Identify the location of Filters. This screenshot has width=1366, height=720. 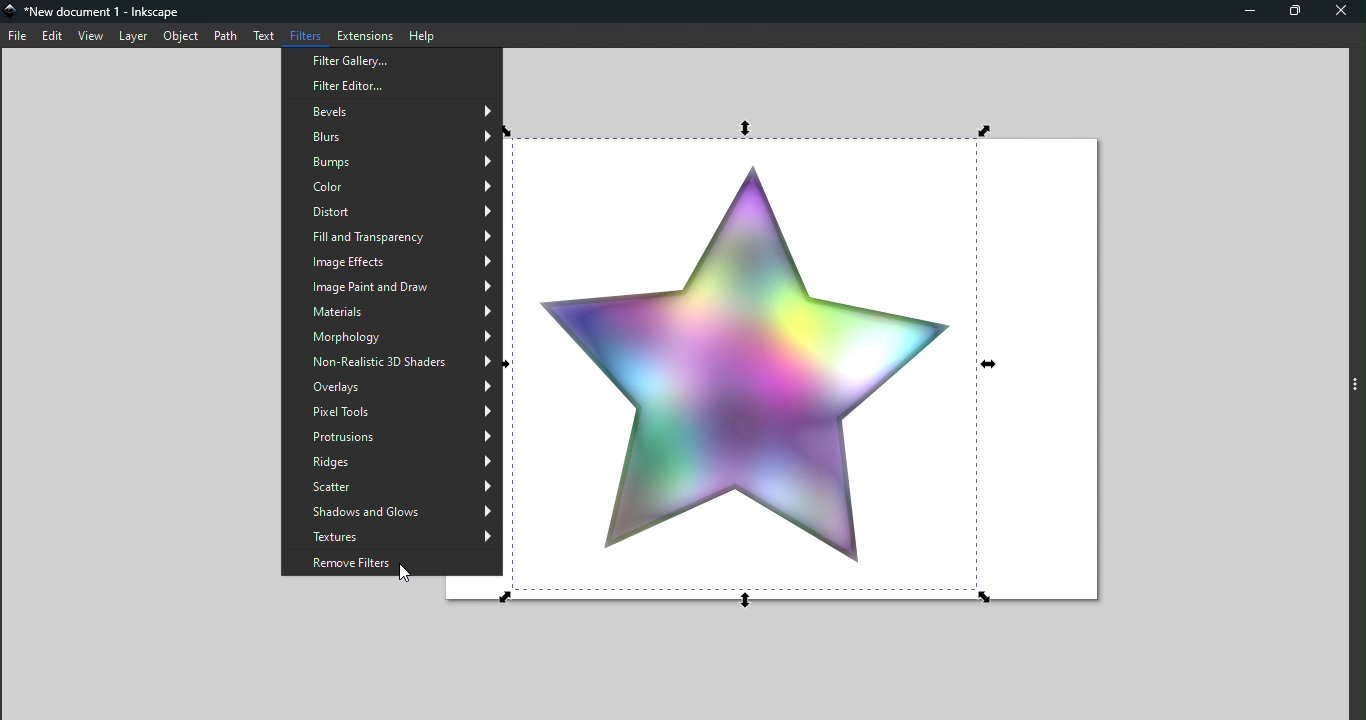
(304, 33).